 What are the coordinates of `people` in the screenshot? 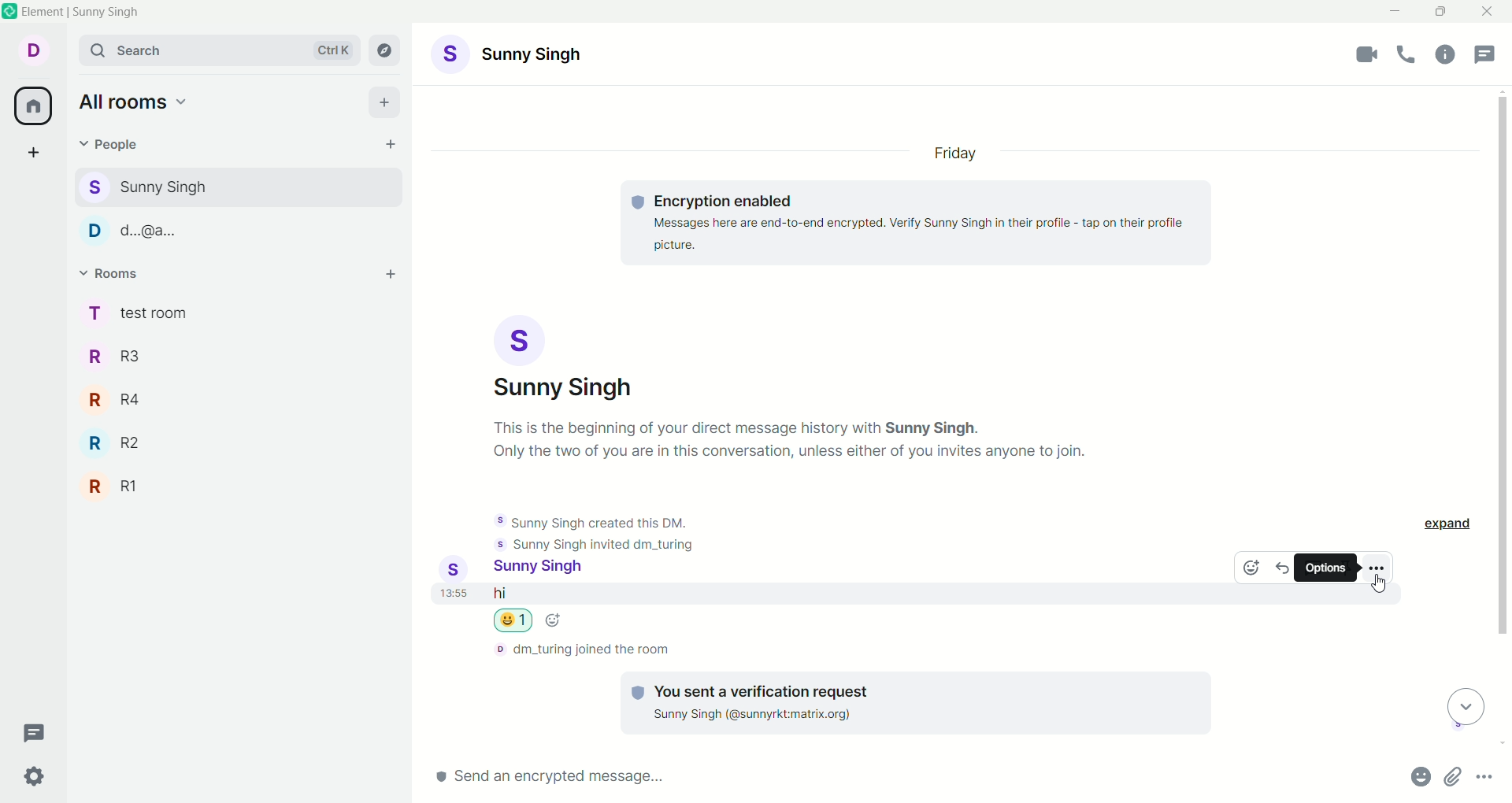 It's located at (113, 143).